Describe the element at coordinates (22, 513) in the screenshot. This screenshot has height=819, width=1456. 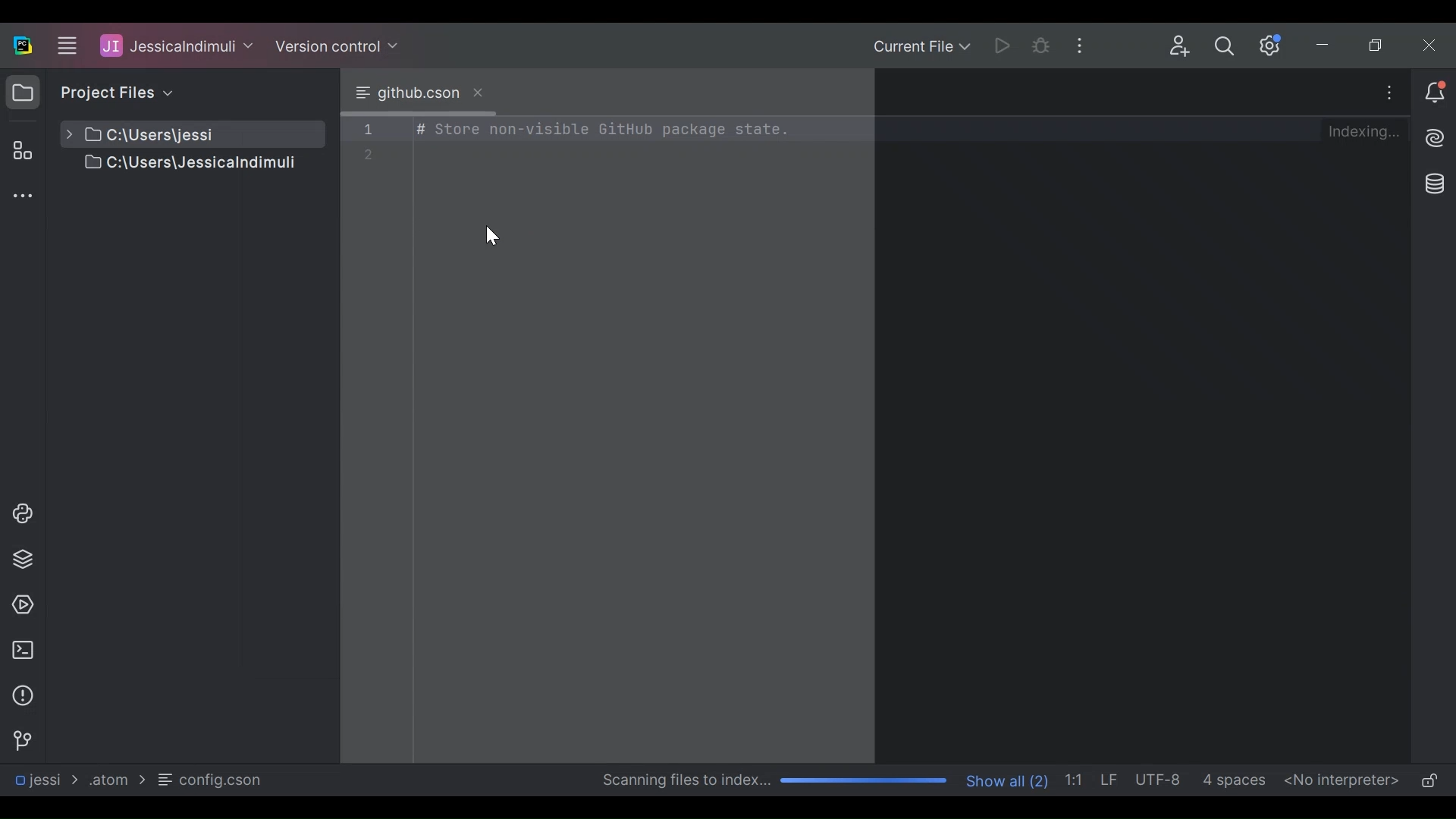
I see `Python Console` at that location.